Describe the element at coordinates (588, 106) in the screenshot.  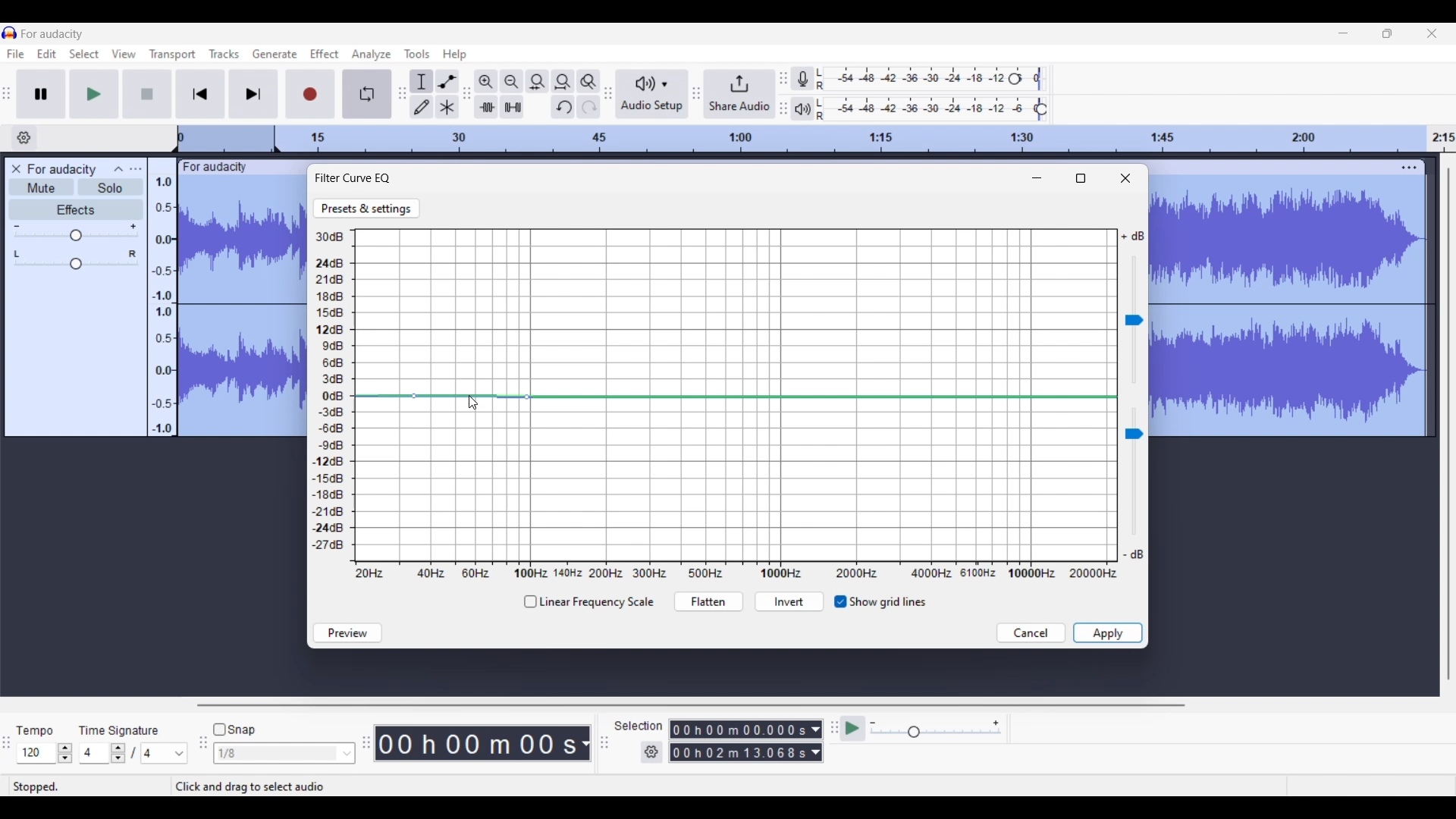
I see `Redo` at that location.